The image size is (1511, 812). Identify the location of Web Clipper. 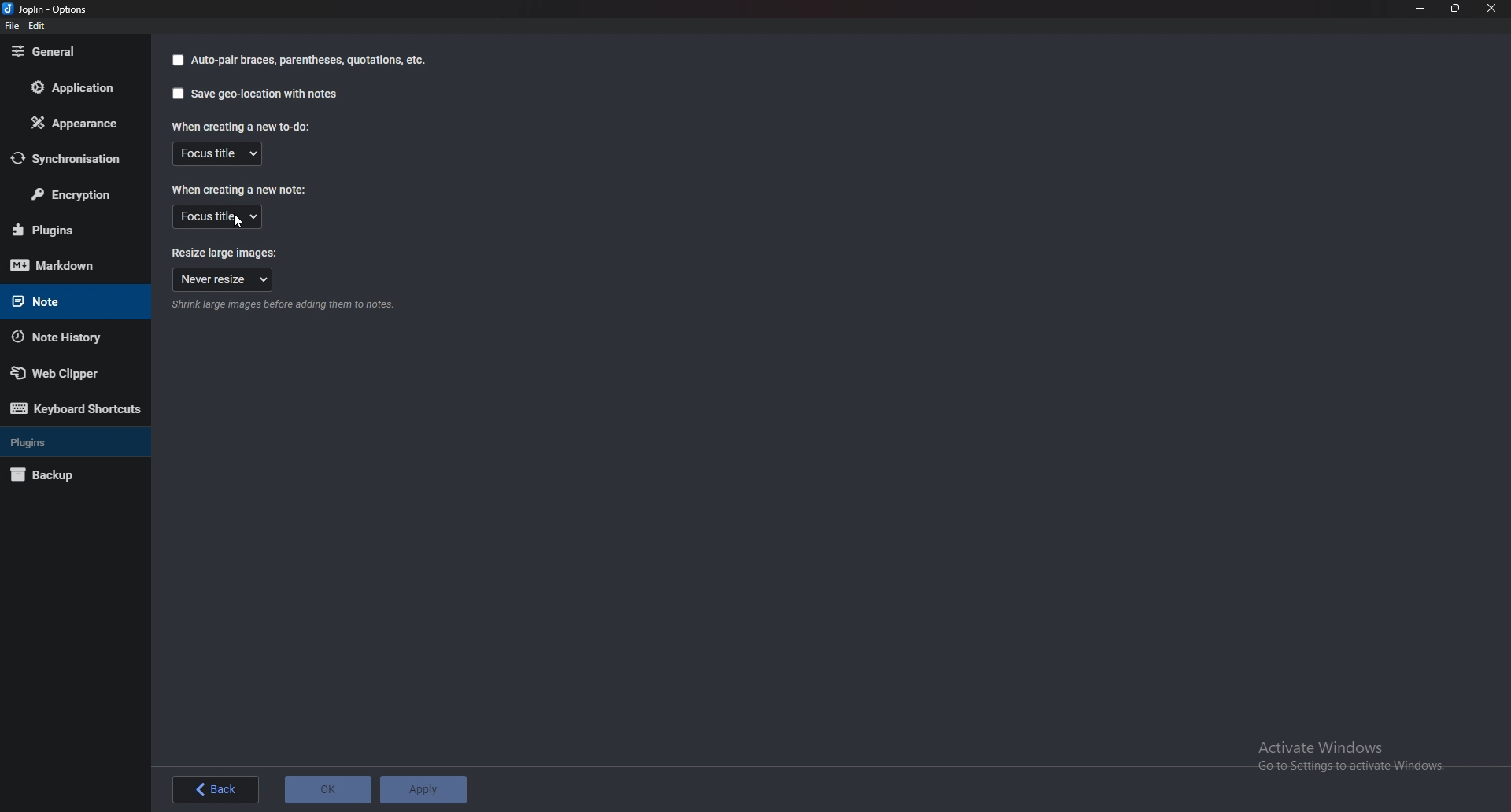
(65, 374).